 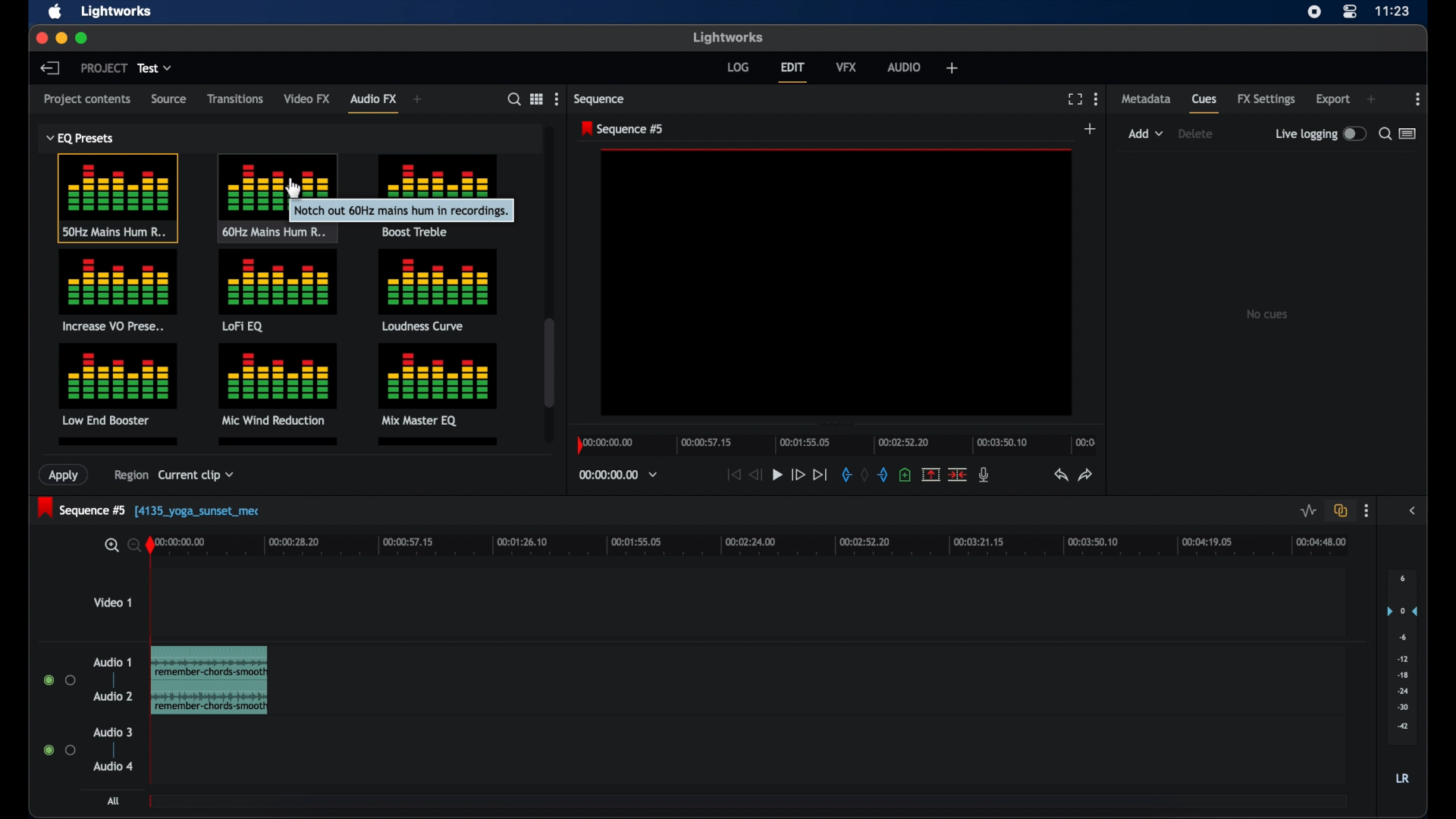 I want to click on minimize, so click(x=61, y=39).